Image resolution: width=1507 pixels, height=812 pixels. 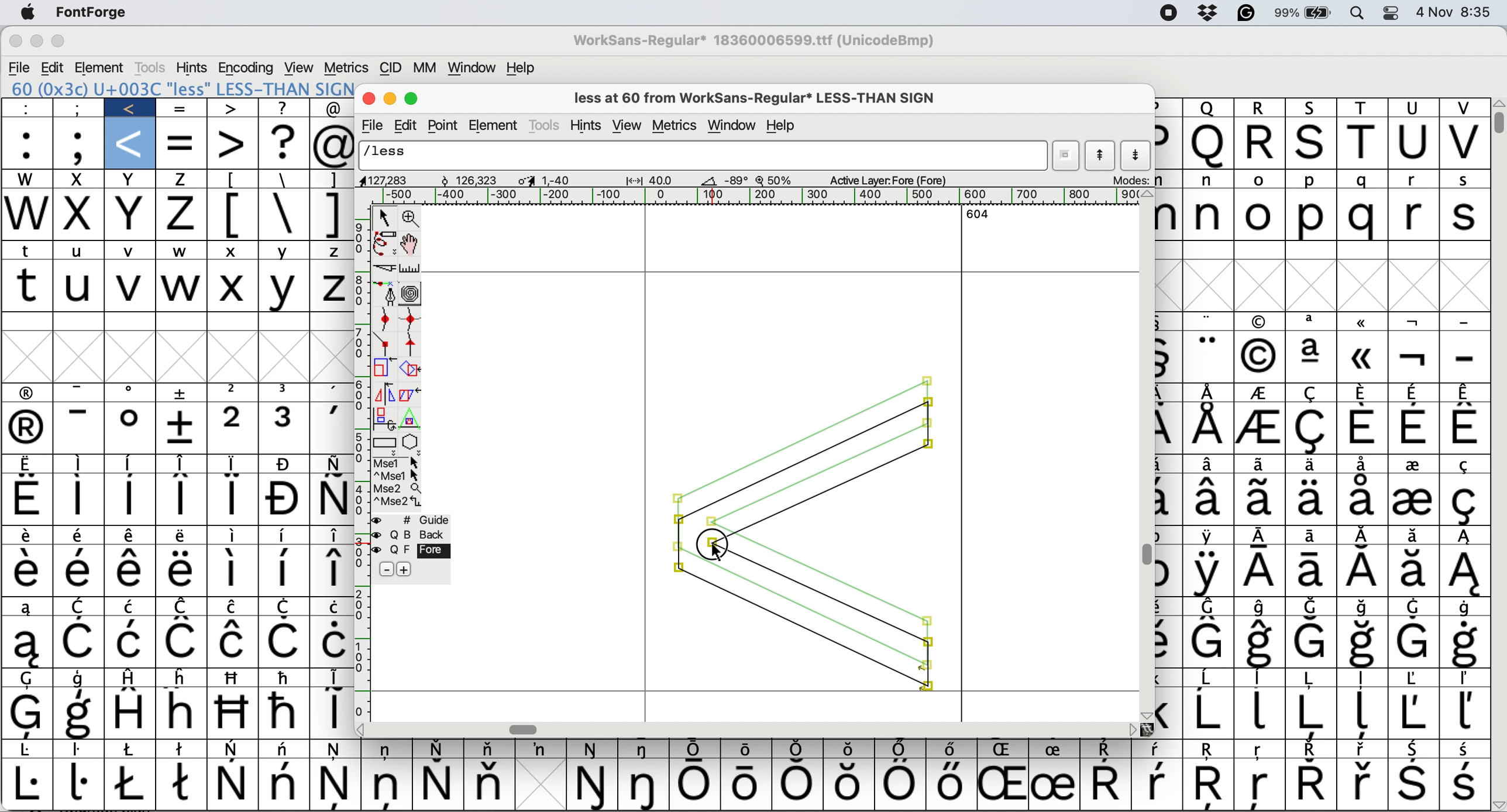 I want to click on v, so click(x=1462, y=143).